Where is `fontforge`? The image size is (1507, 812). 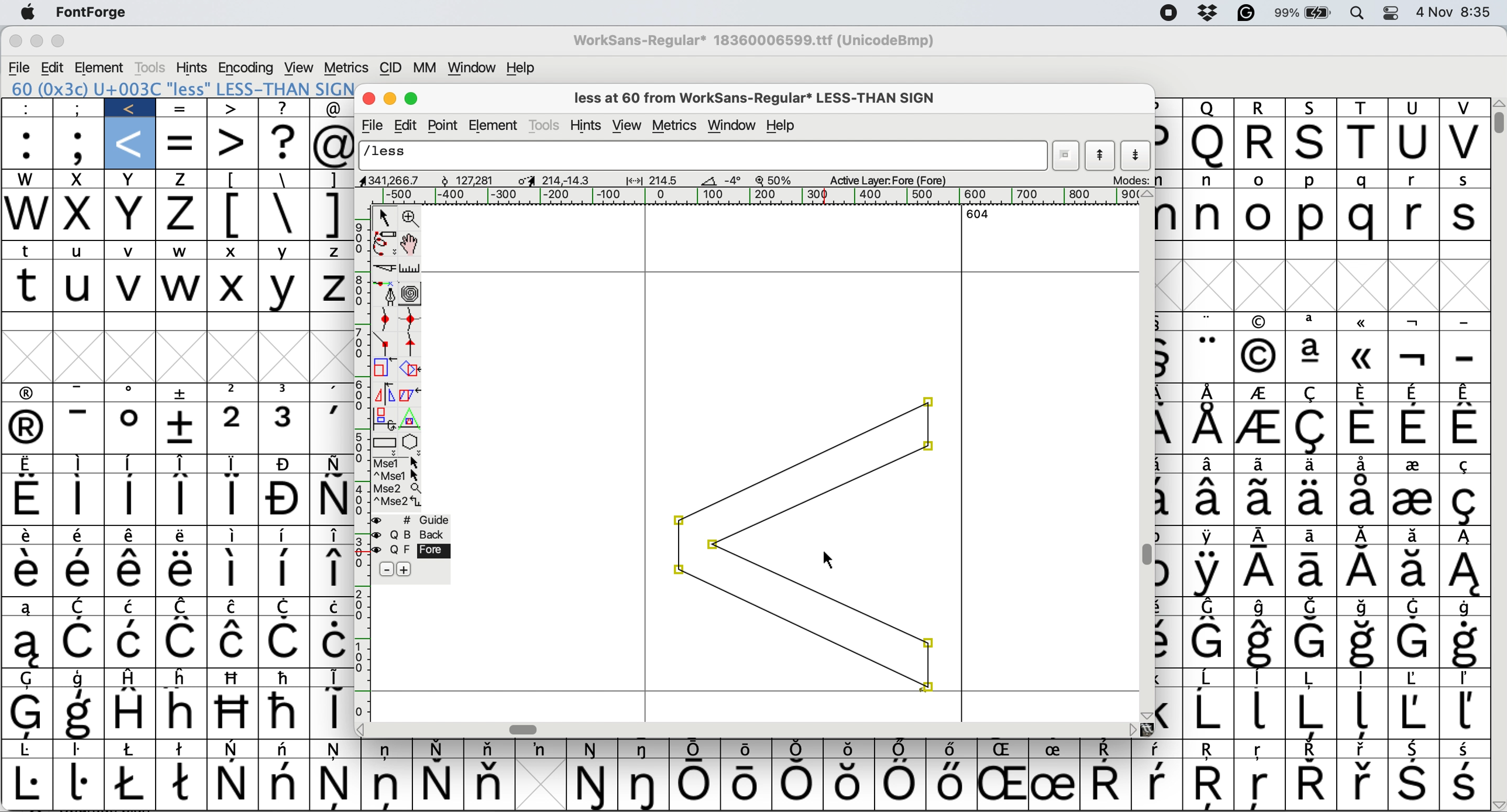 fontforge is located at coordinates (90, 13).